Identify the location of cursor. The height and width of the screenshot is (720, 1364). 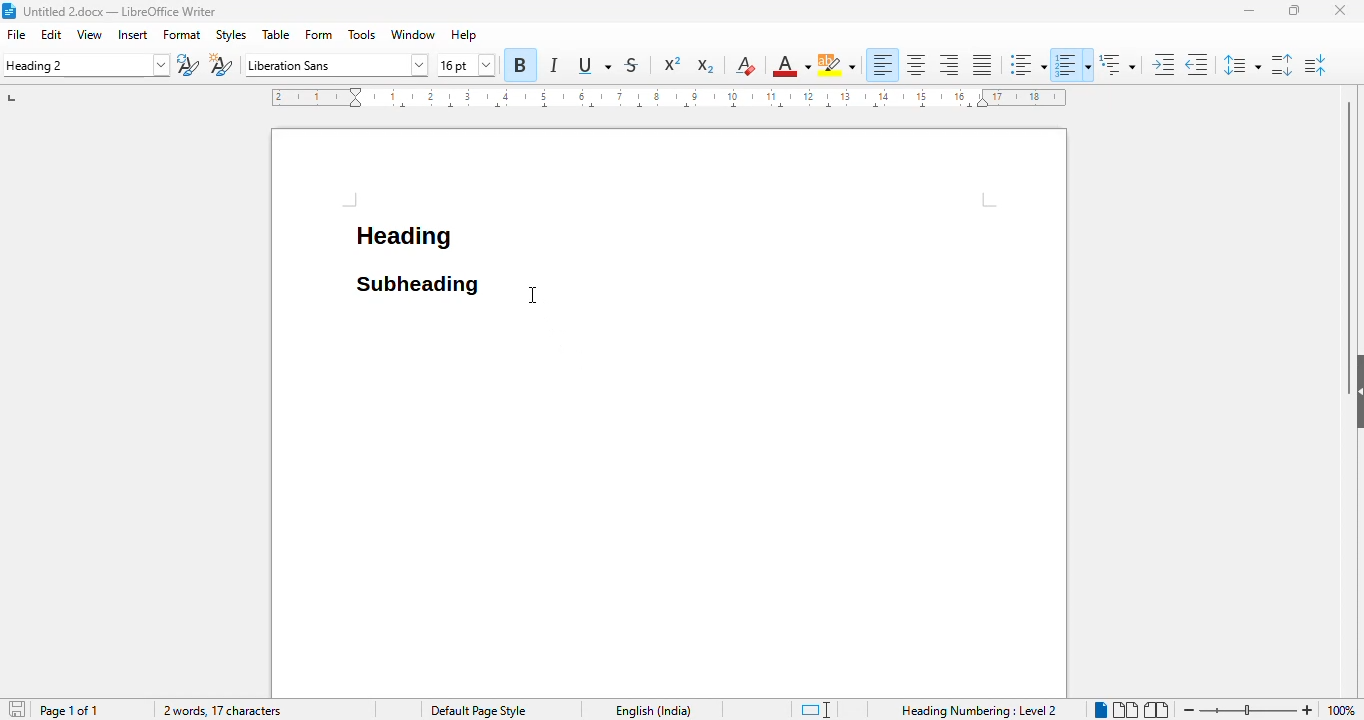
(534, 296).